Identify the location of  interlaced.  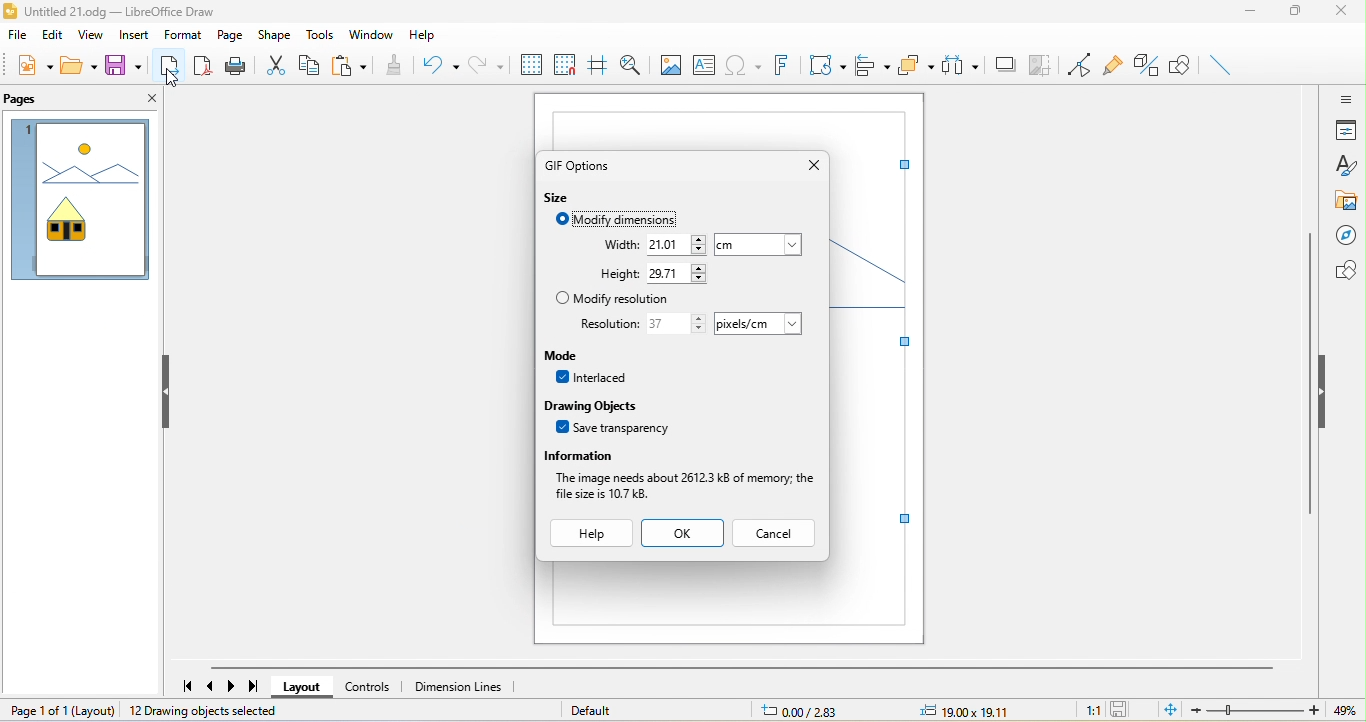
(596, 380).